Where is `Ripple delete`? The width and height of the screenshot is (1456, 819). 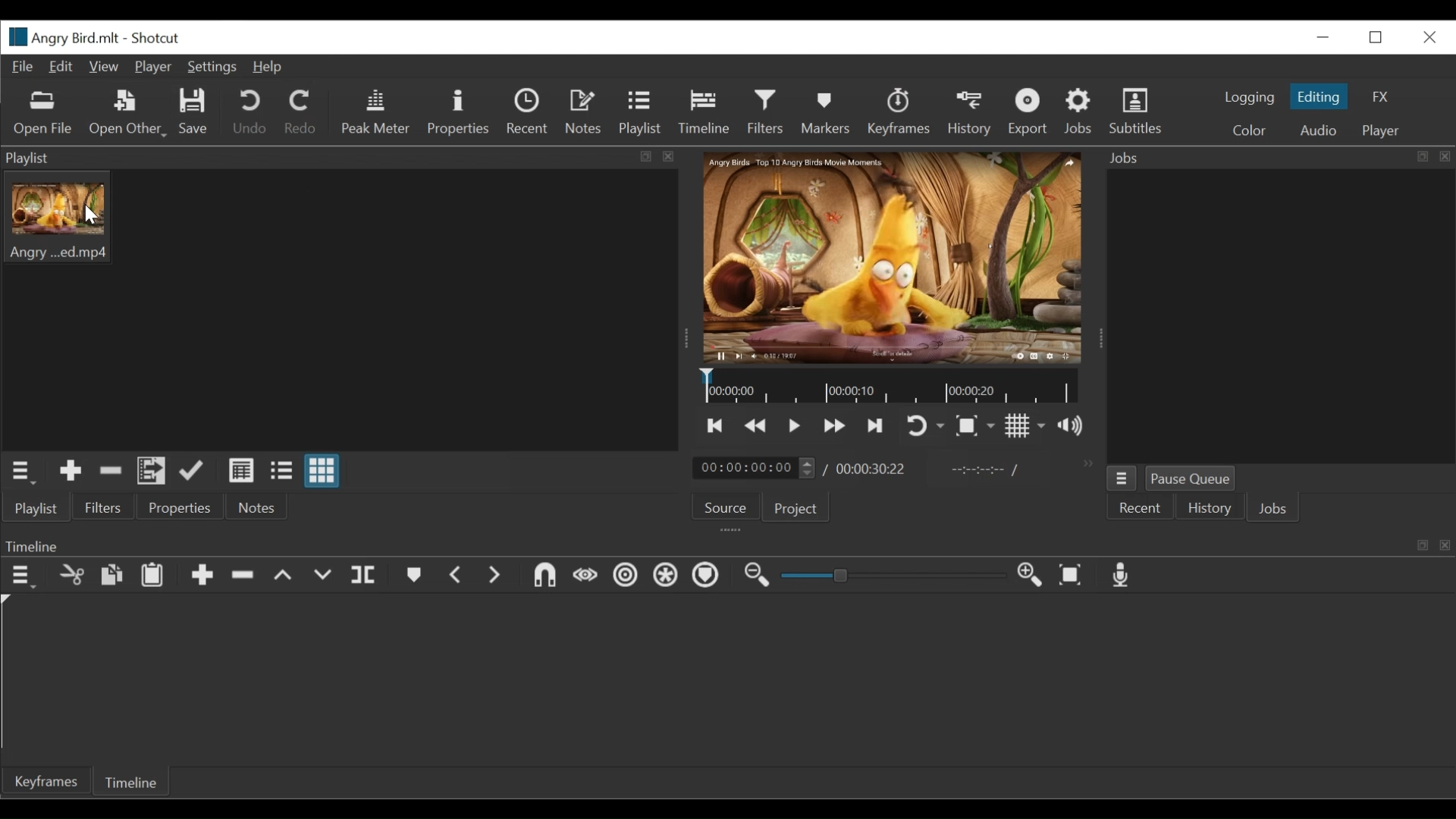
Ripple delete is located at coordinates (243, 576).